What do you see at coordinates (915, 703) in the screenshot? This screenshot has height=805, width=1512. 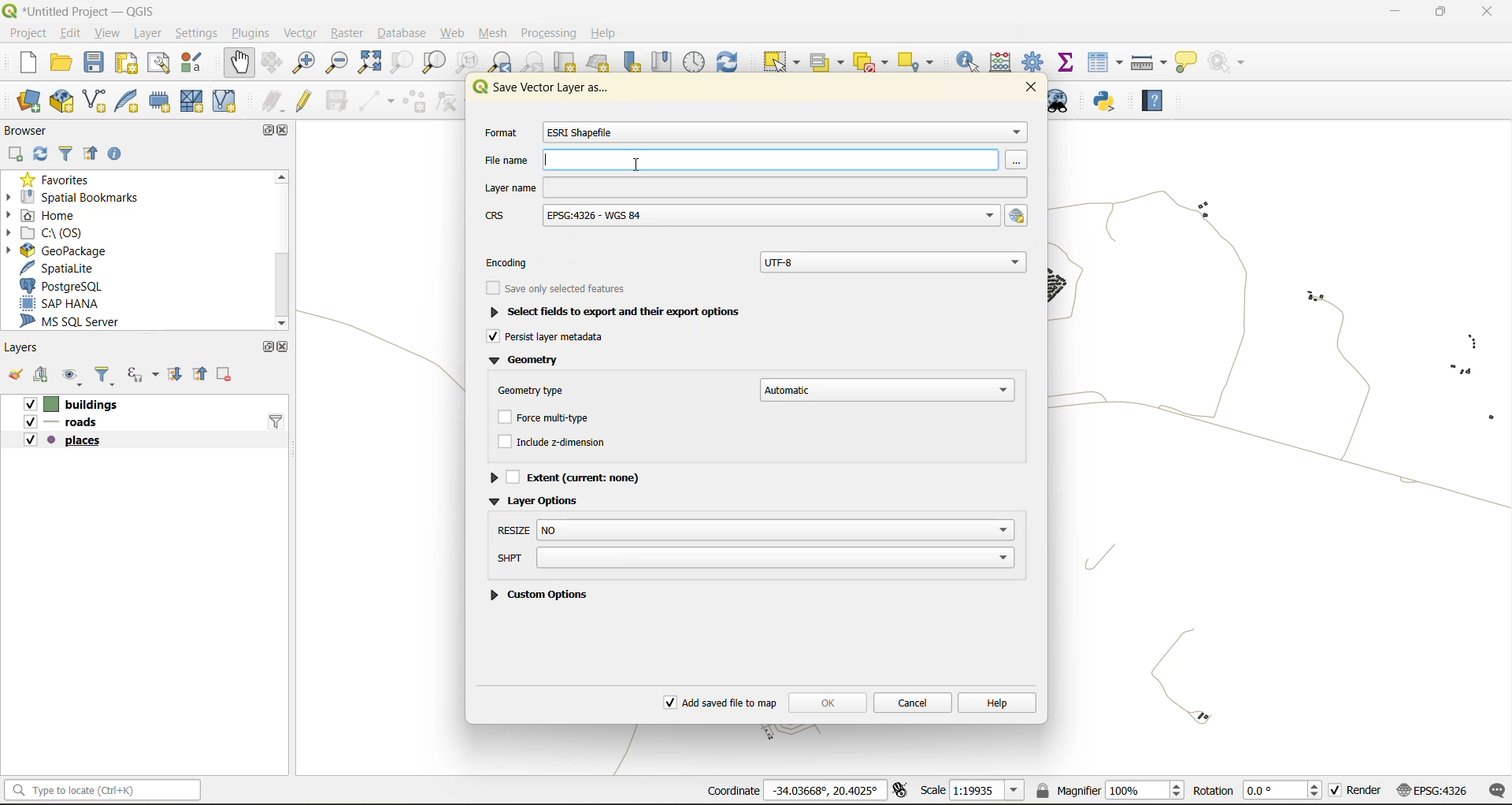 I see `cancel` at bounding box center [915, 703].